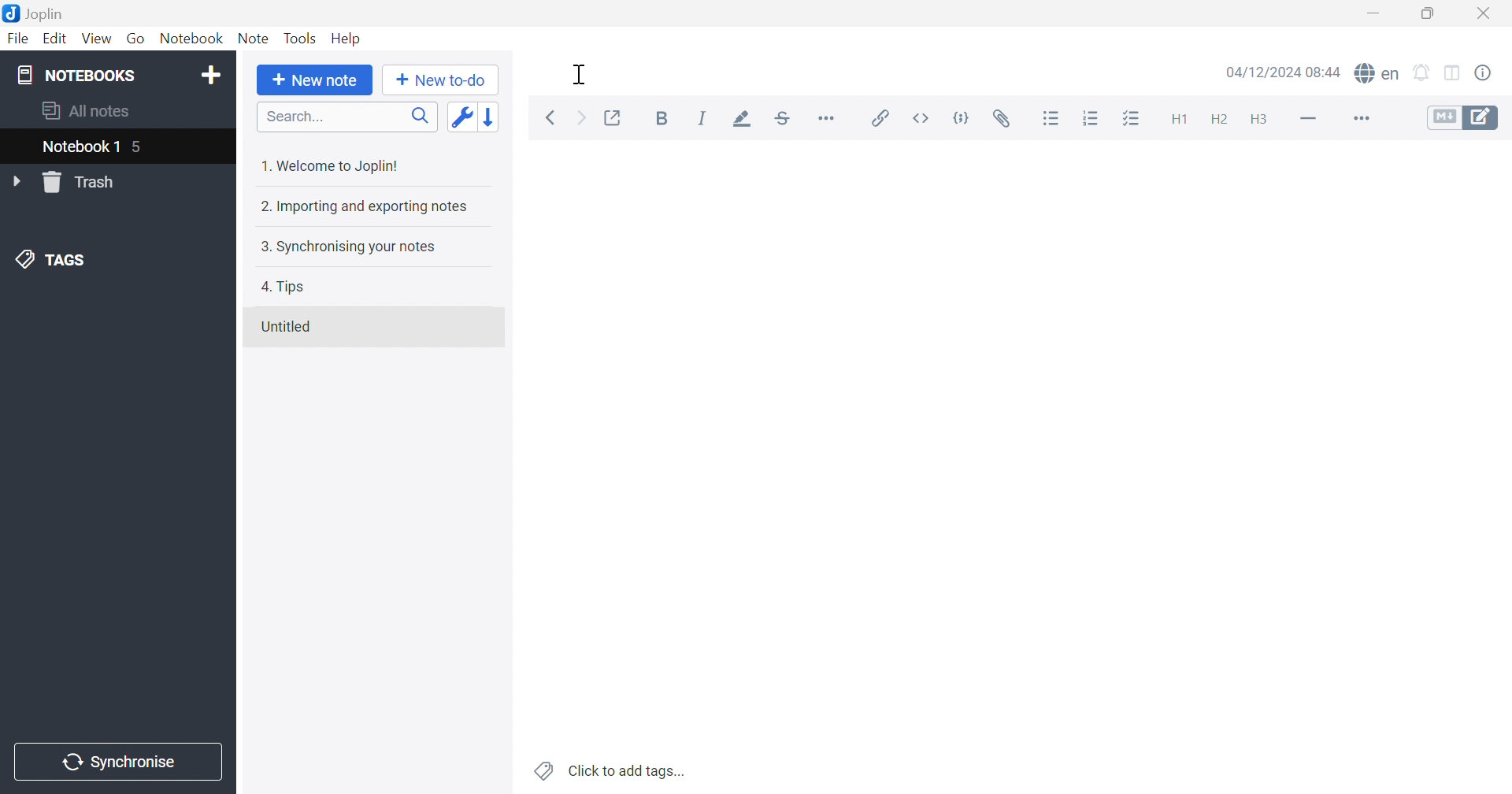  I want to click on Italic, so click(702, 117).